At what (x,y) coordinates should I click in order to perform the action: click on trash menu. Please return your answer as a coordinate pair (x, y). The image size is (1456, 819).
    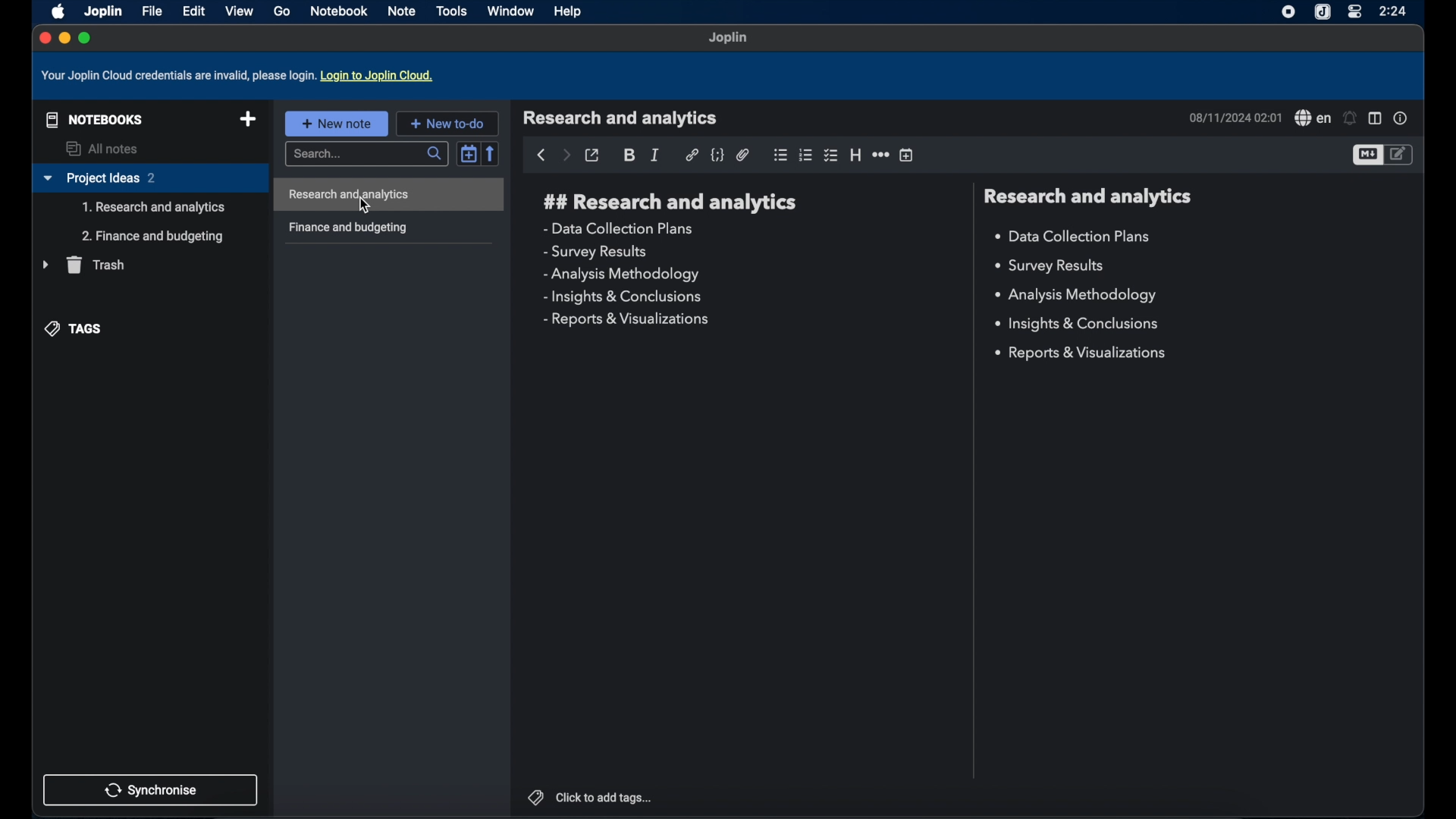
    Looking at the image, I should click on (83, 265).